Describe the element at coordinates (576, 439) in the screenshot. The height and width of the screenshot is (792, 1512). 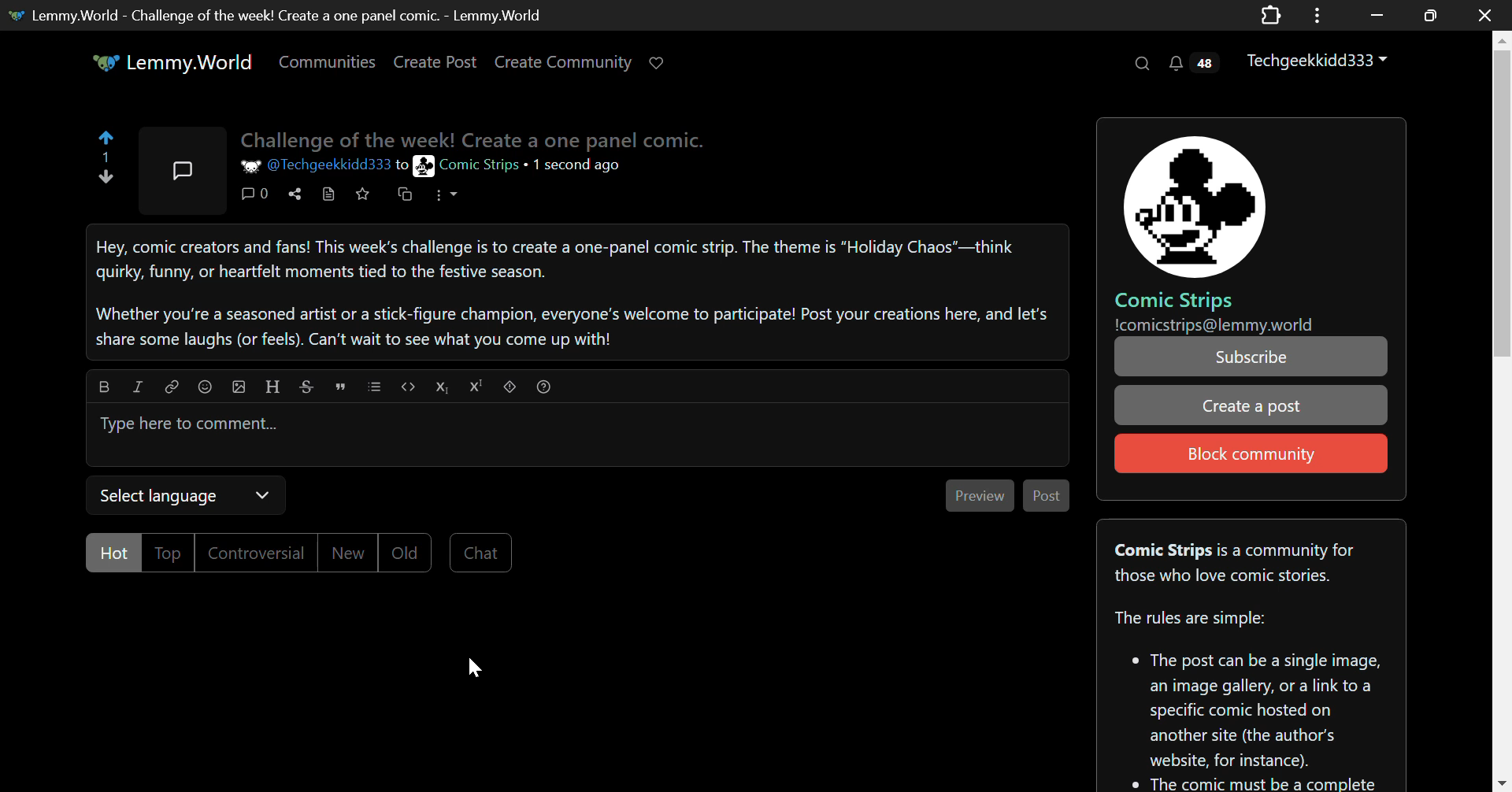
I see `Type here to comment...` at that location.